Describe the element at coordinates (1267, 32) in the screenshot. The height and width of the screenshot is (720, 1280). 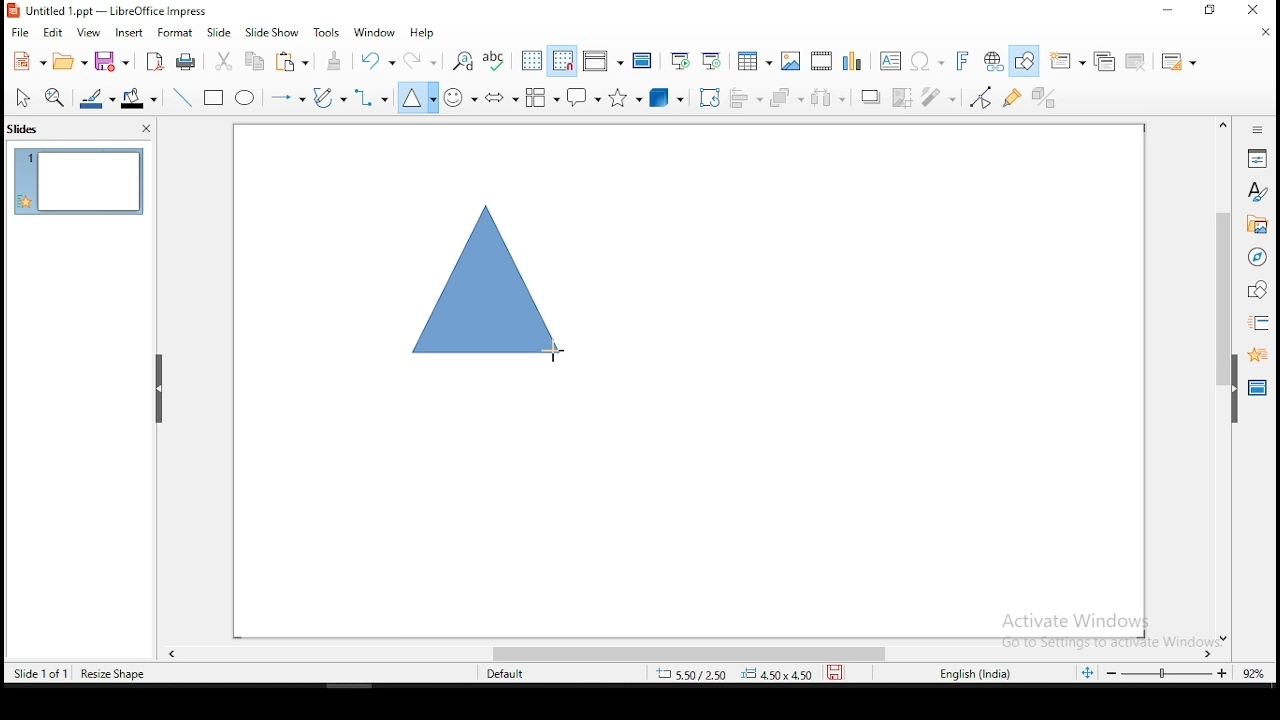
I see `close document` at that location.